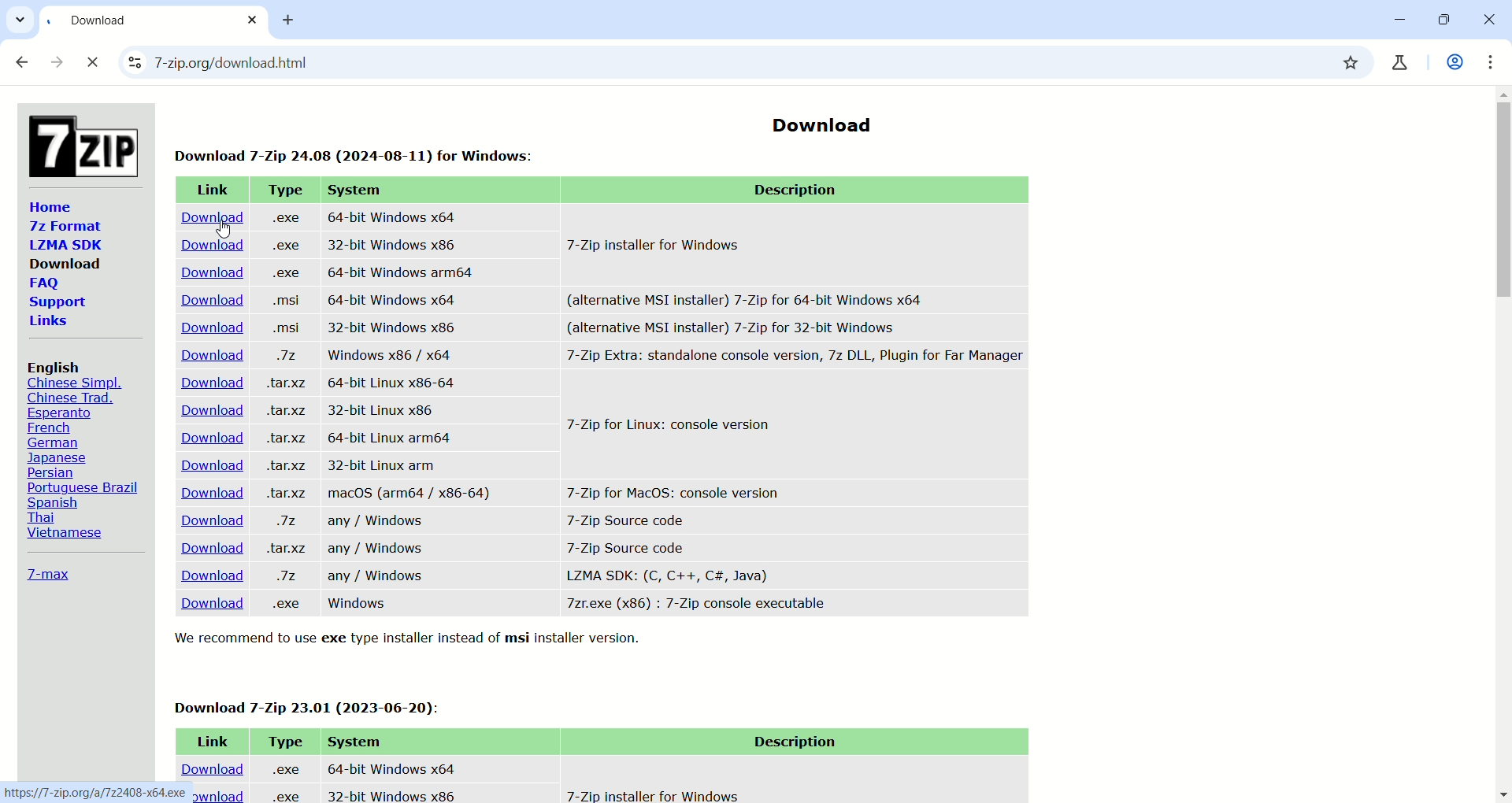 Image resolution: width=1512 pixels, height=803 pixels. What do you see at coordinates (292, 575) in the screenshot?
I see `Tz` at bounding box center [292, 575].